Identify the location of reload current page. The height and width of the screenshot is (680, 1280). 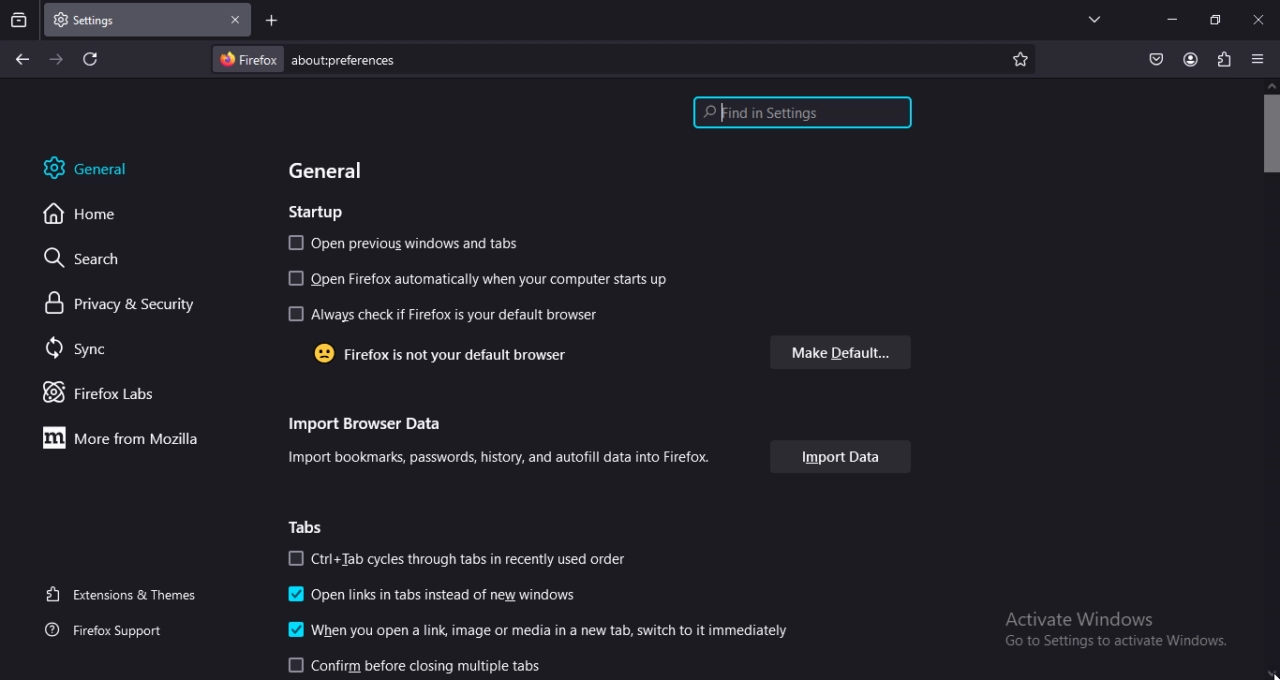
(88, 61).